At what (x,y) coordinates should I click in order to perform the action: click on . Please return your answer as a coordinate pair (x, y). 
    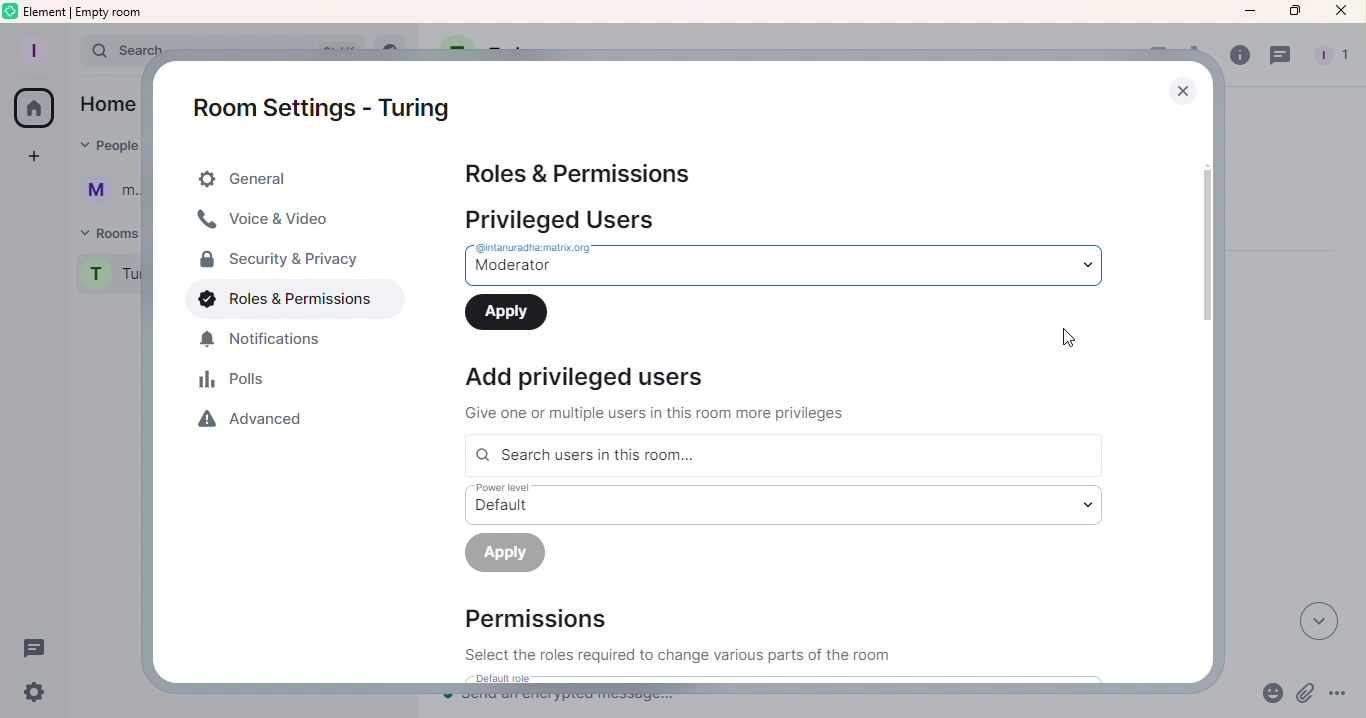
    Looking at the image, I should click on (658, 393).